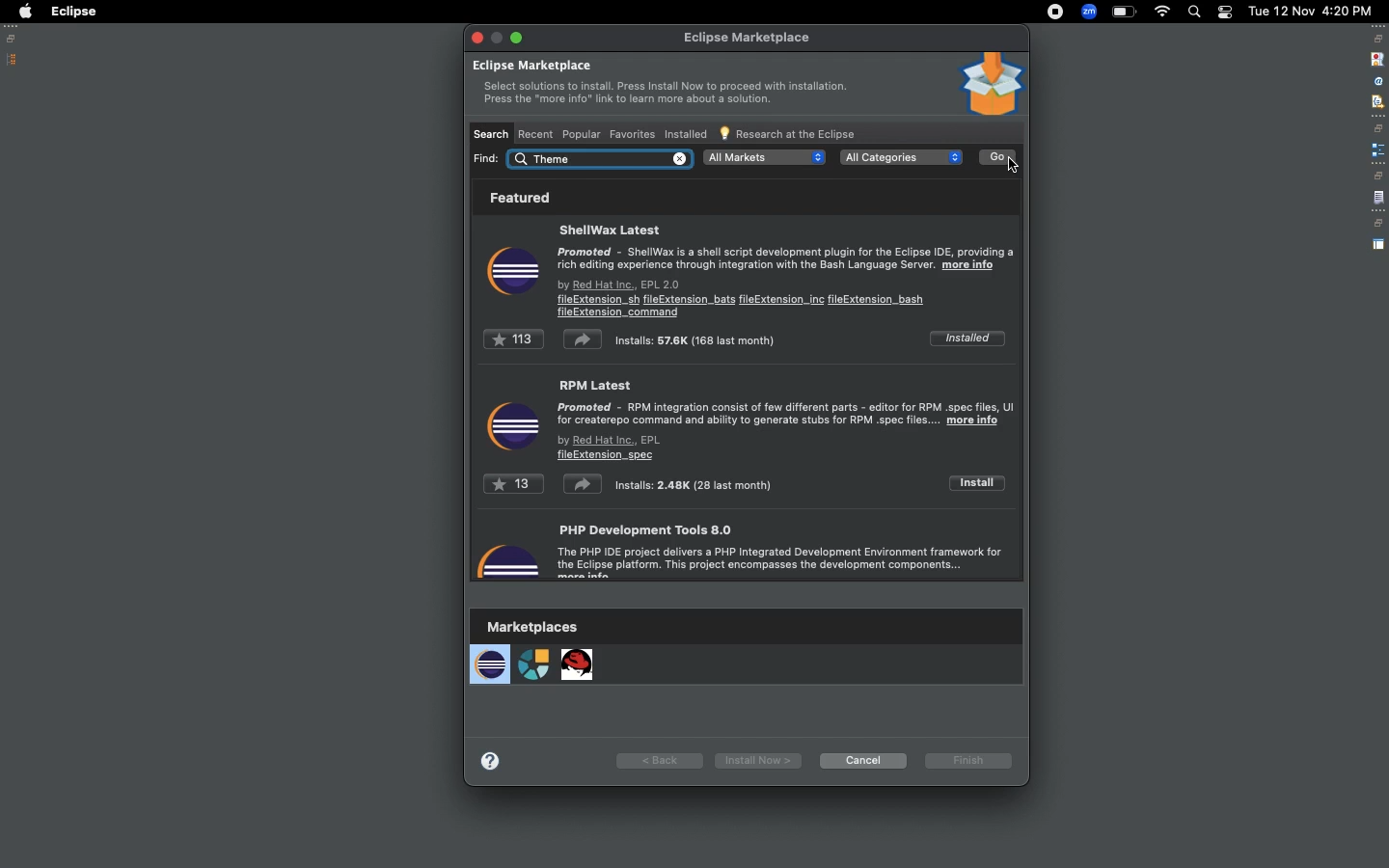 This screenshot has height=868, width=1389. I want to click on Eclipse marketplace, so click(659, 86).